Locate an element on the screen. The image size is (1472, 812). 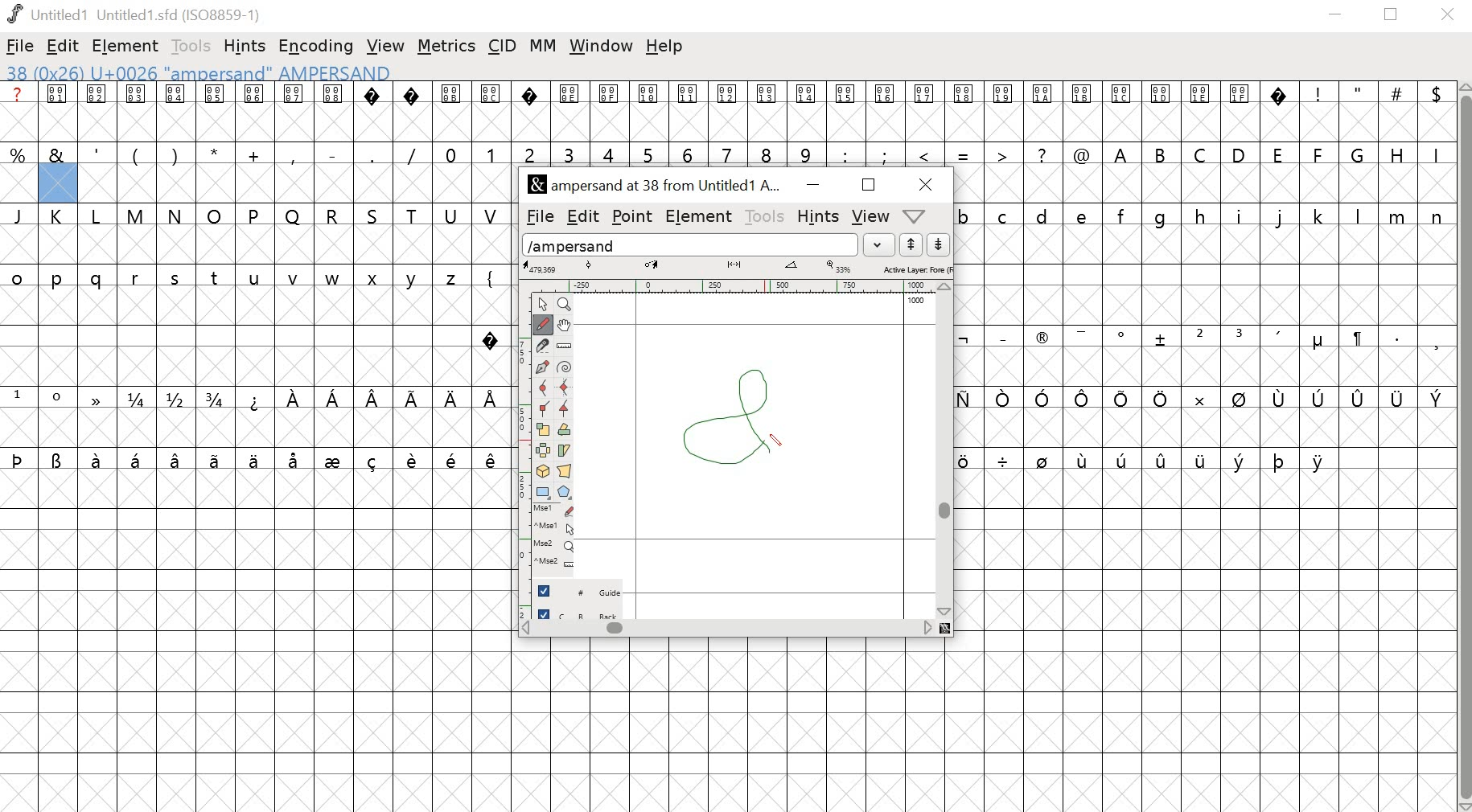
001E is located at coordinates (1200, 110).